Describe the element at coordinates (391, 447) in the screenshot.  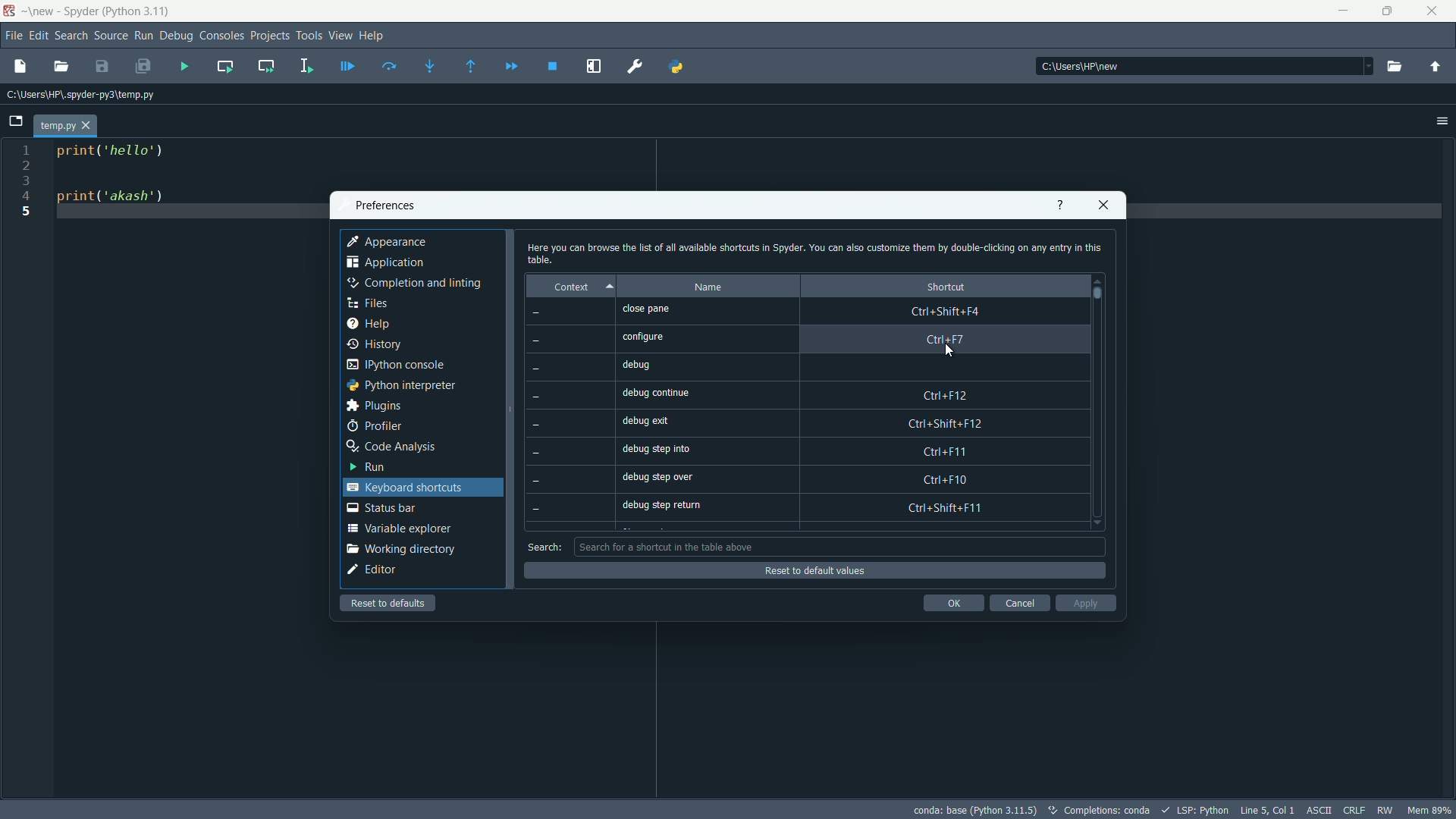
I see `code analysis` at that location.